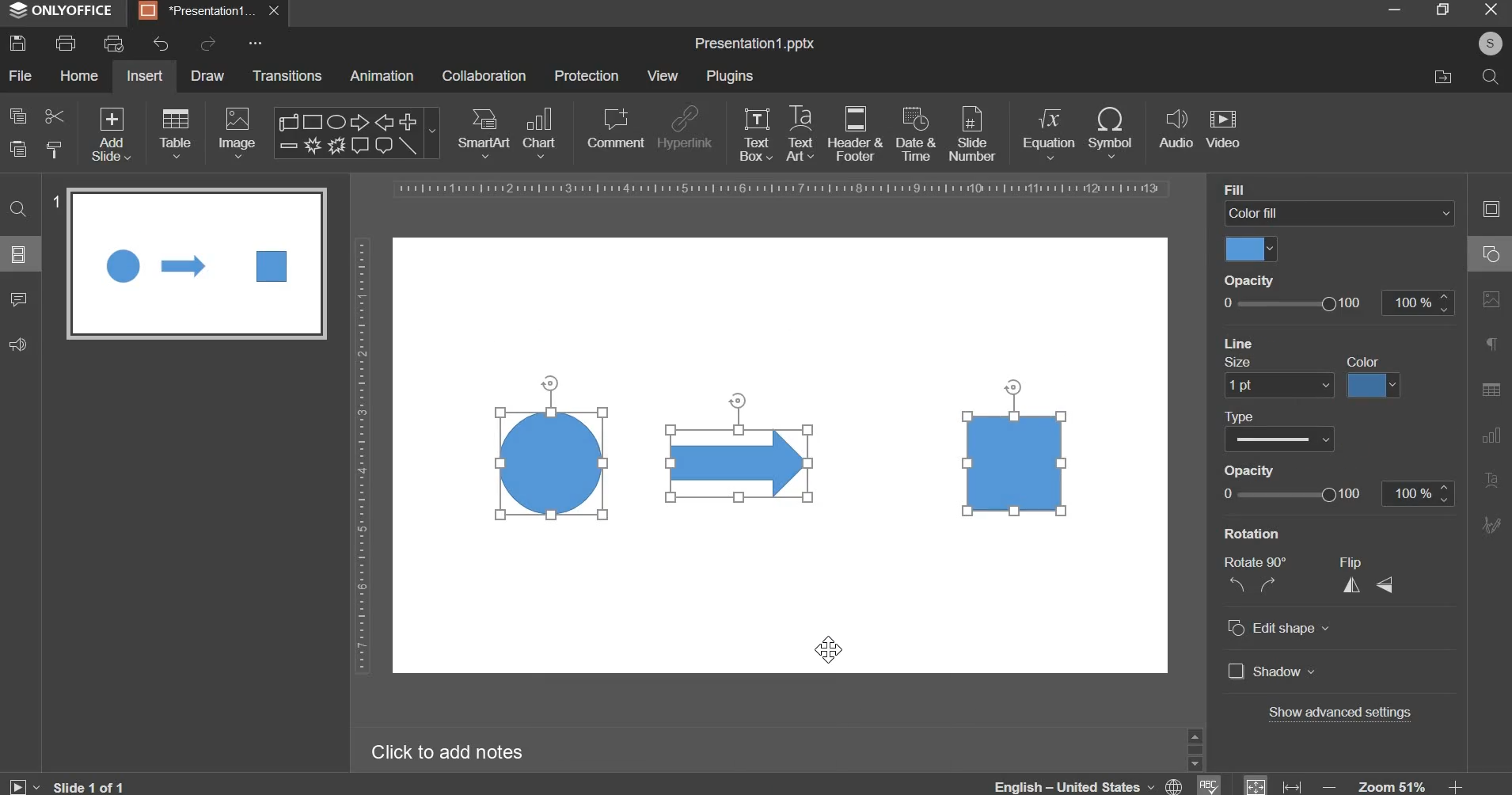 This screenshot has height=795, width=1512. I want to click on protection, so click(587, 75).